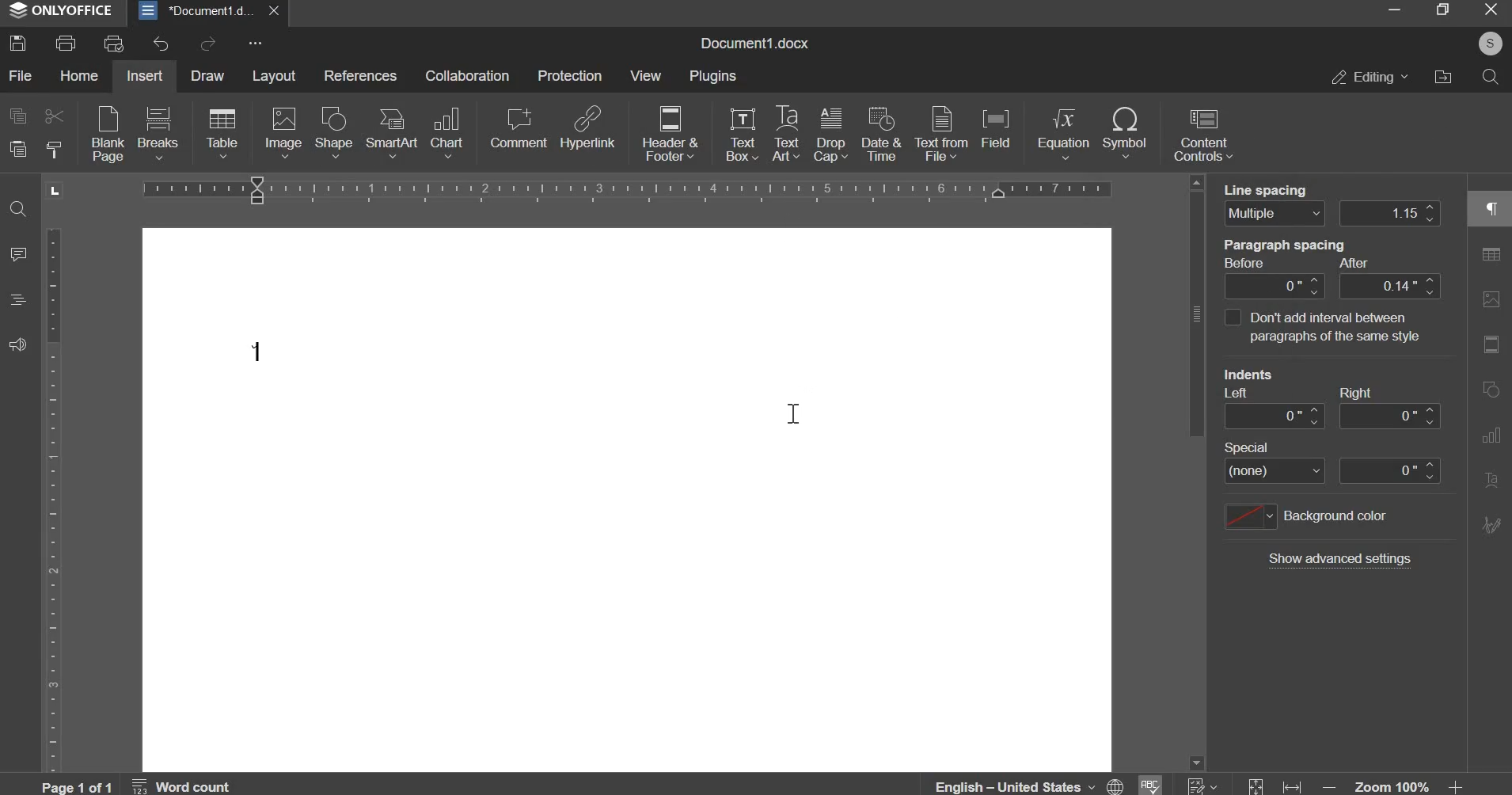 This screenshot has height=795, width=1512. What do you see at coordinates (253, 43) in the screenshot?
I see `more` at bounding box center [253, 43].